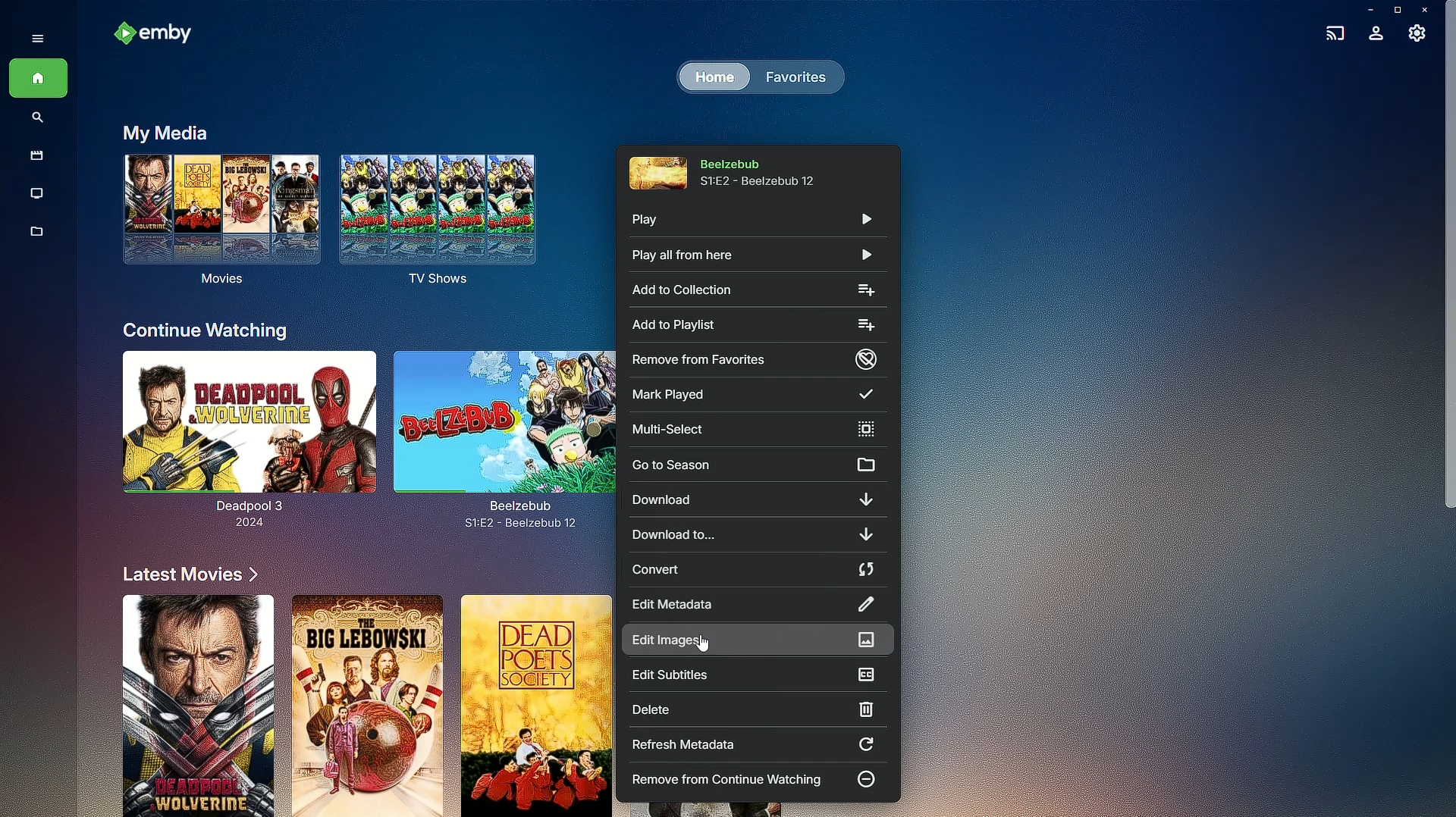 The image size is (1456, 817). What do you see at coordinates (217, 226) in the screenshot?
I see `Movies` at bounding box center [217, 226].